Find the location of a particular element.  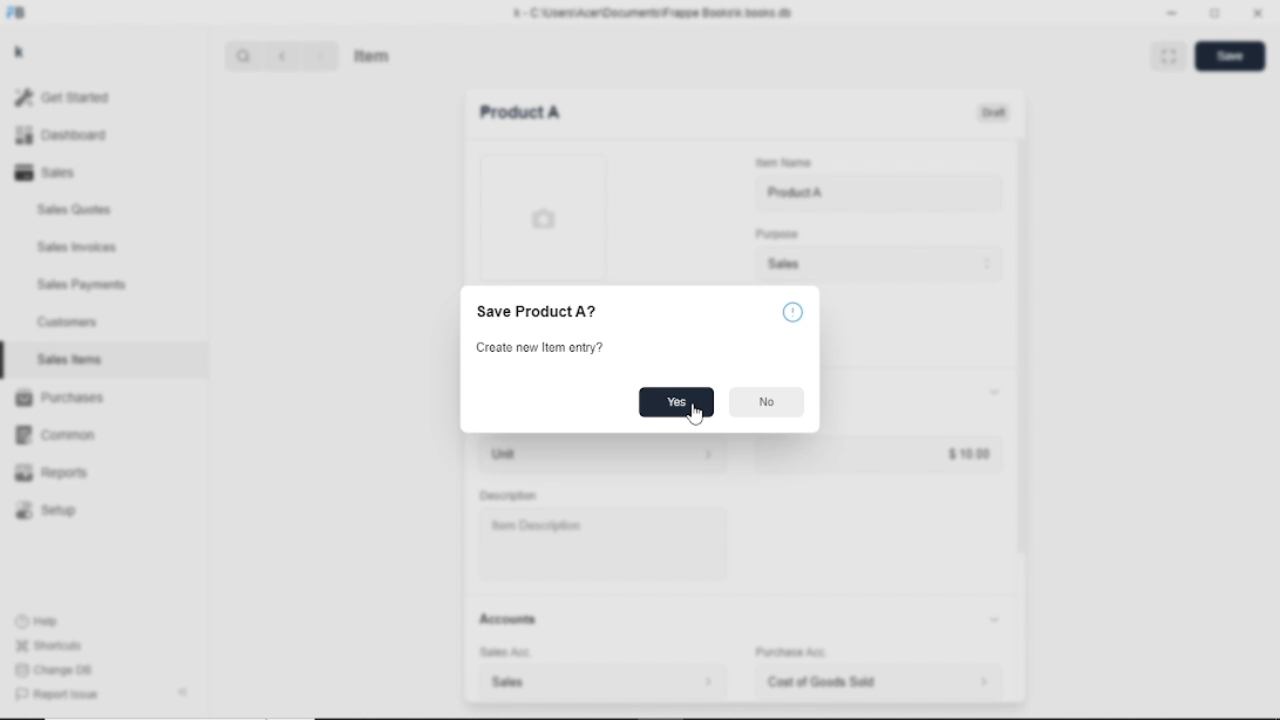

$ 10.00 is located at coordinates (970, 454).